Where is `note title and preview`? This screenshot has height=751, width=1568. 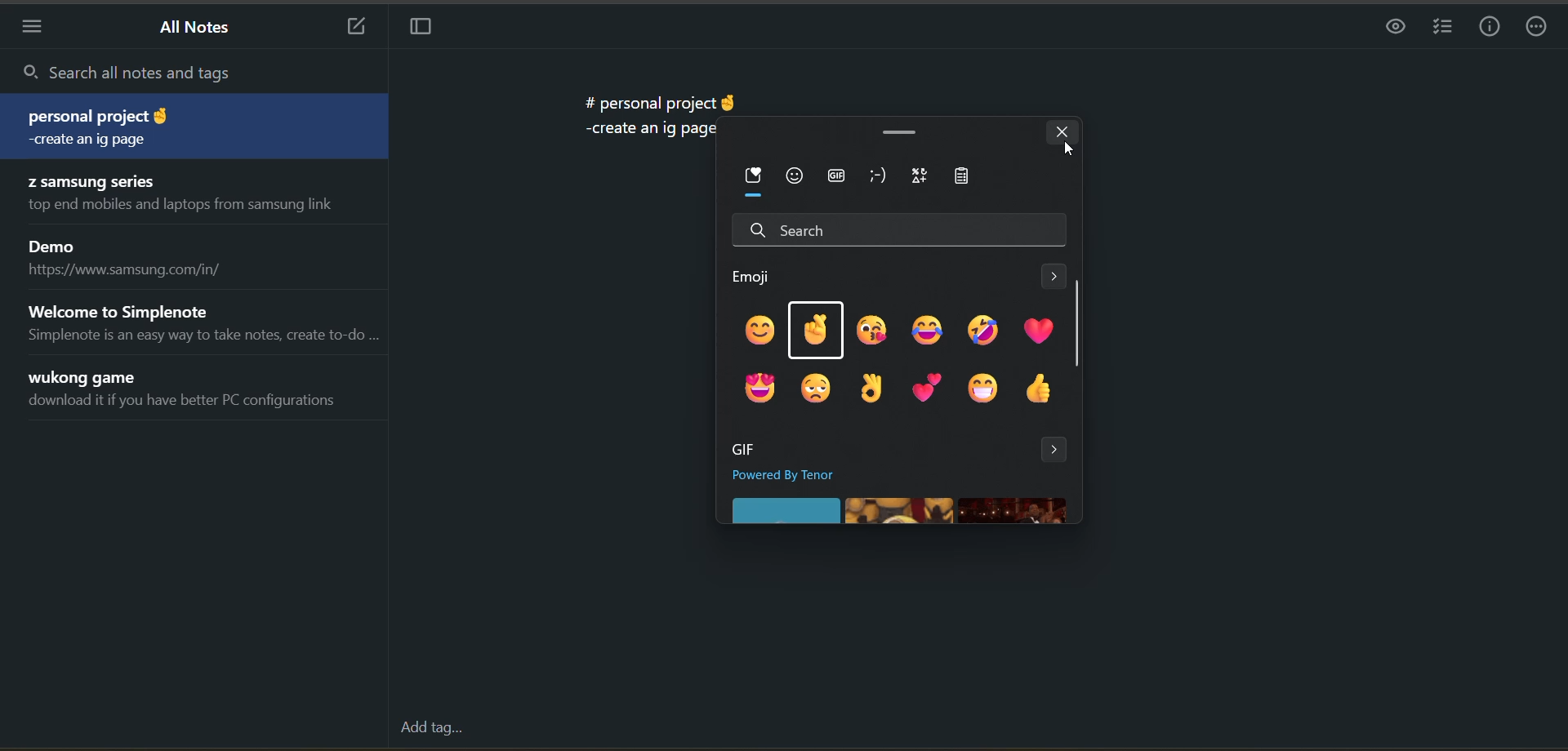 note title and preview is located at coordinates (142, 256).